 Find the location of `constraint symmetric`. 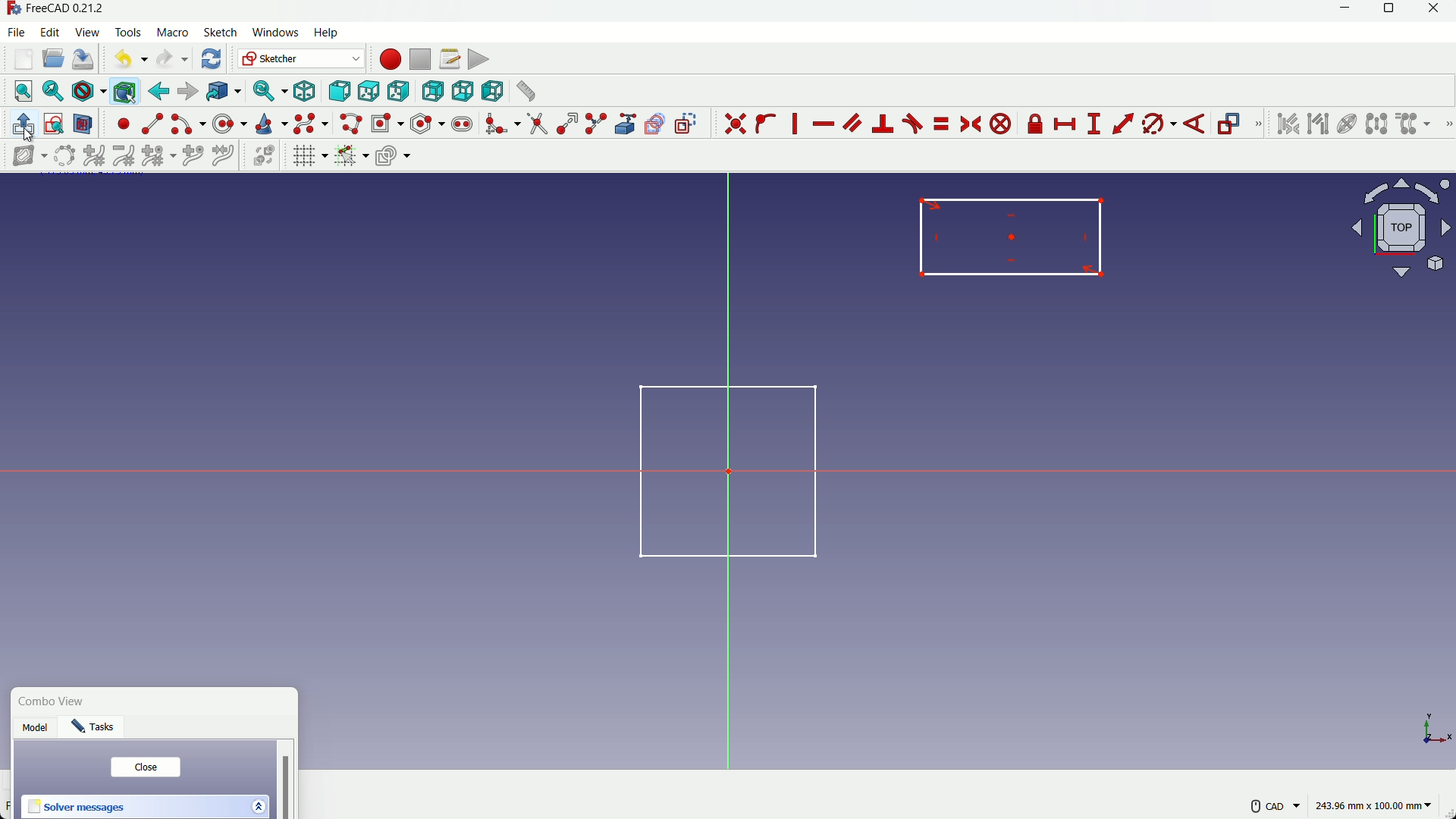

constraint symmetric is located at coordinates (972, 124).